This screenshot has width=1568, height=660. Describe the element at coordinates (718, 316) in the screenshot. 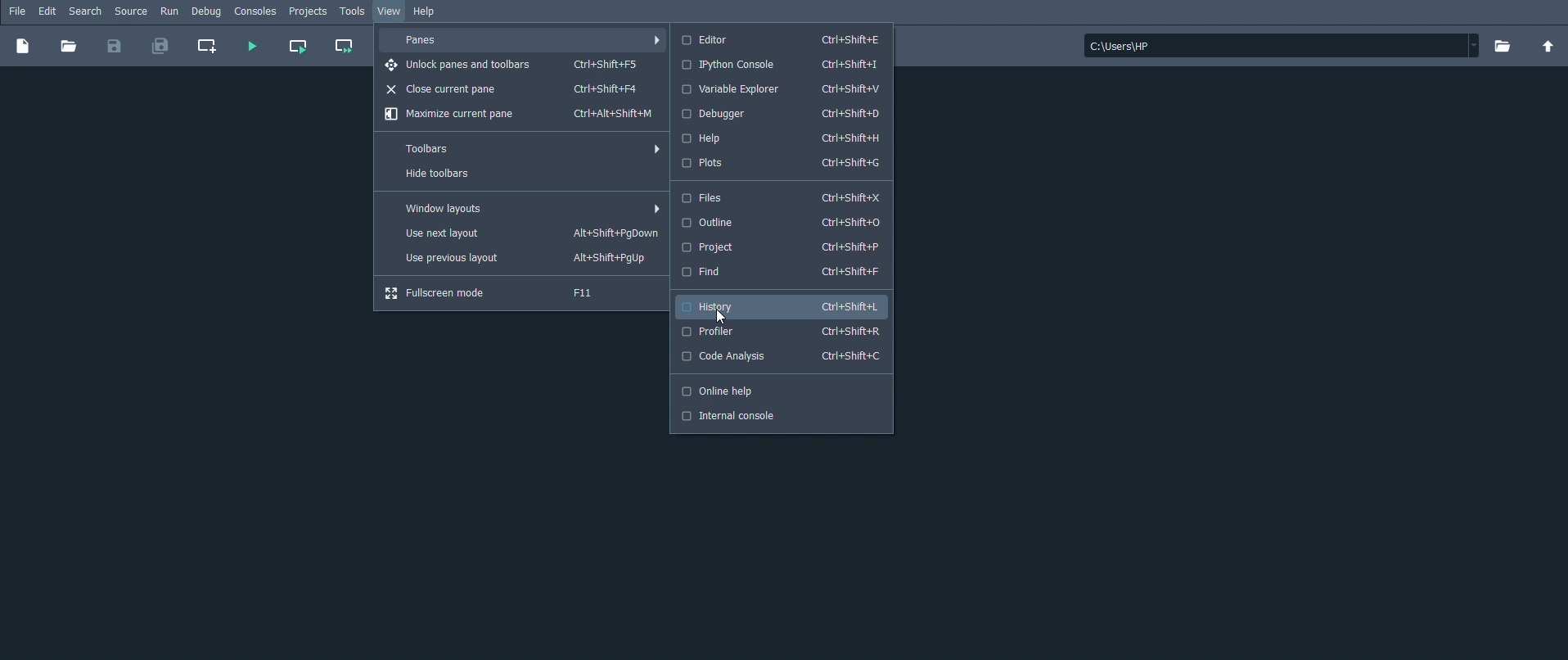

I see `Cursor` at that location.